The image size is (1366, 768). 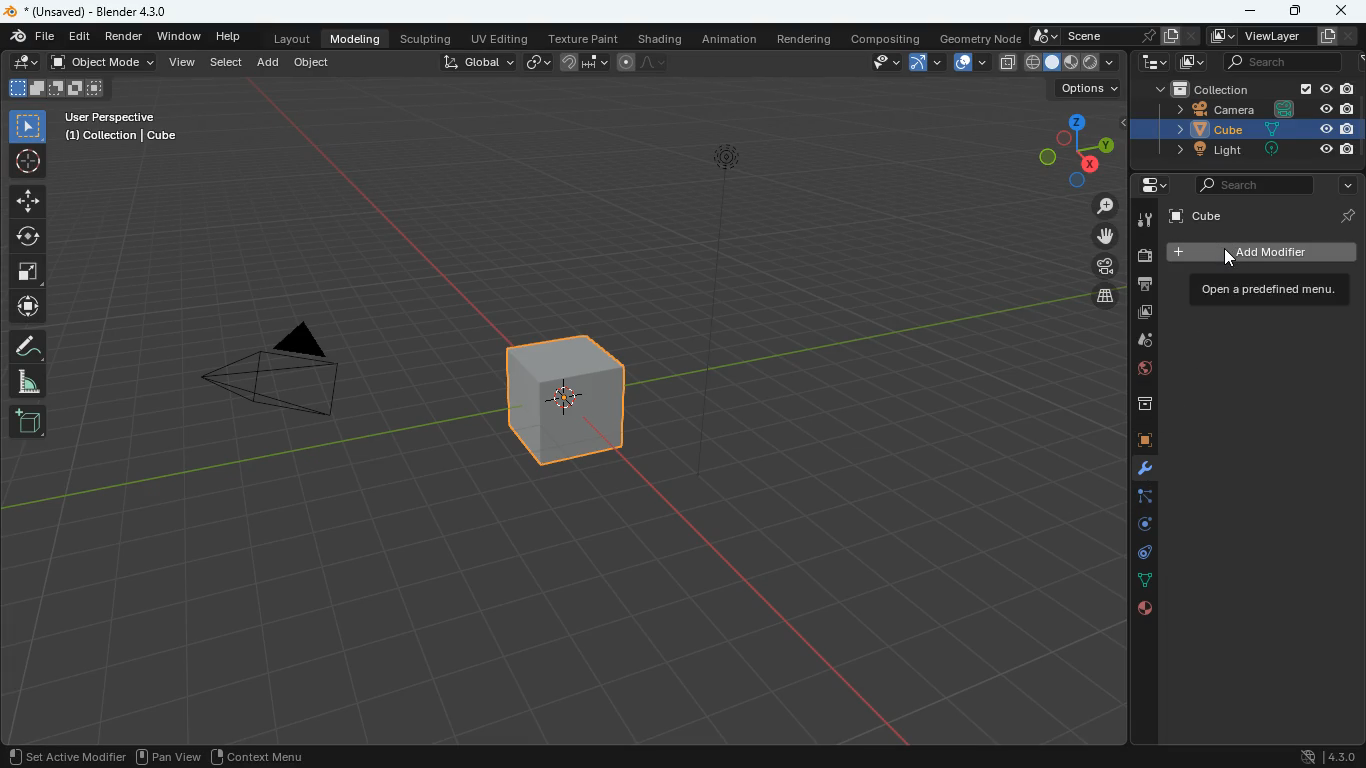 What do you see at coordinates (32, 37) in the screenshot?
I see `file` at bounding box center [32, 37].